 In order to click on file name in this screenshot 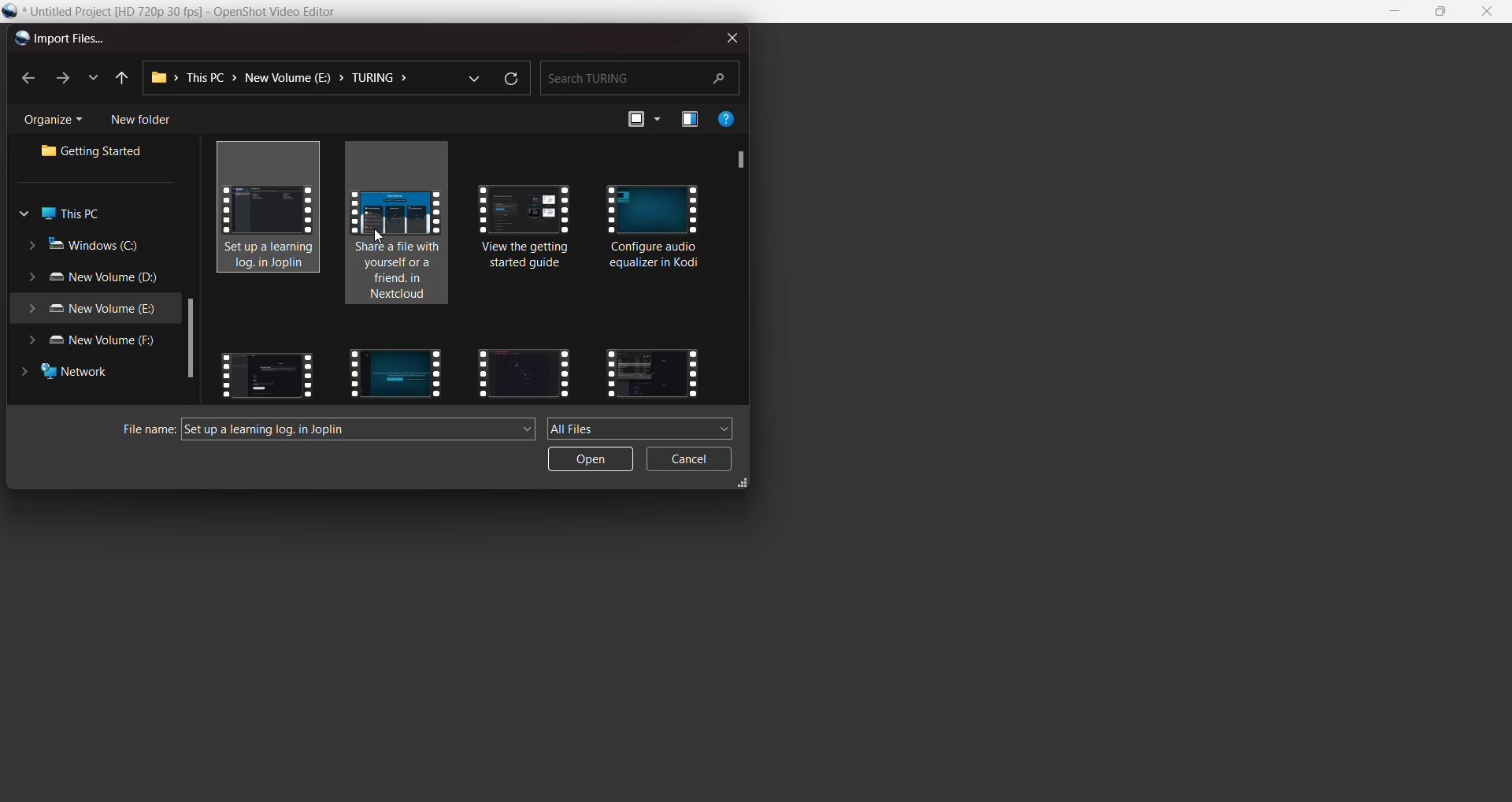, I will do `click(191, 13)`.